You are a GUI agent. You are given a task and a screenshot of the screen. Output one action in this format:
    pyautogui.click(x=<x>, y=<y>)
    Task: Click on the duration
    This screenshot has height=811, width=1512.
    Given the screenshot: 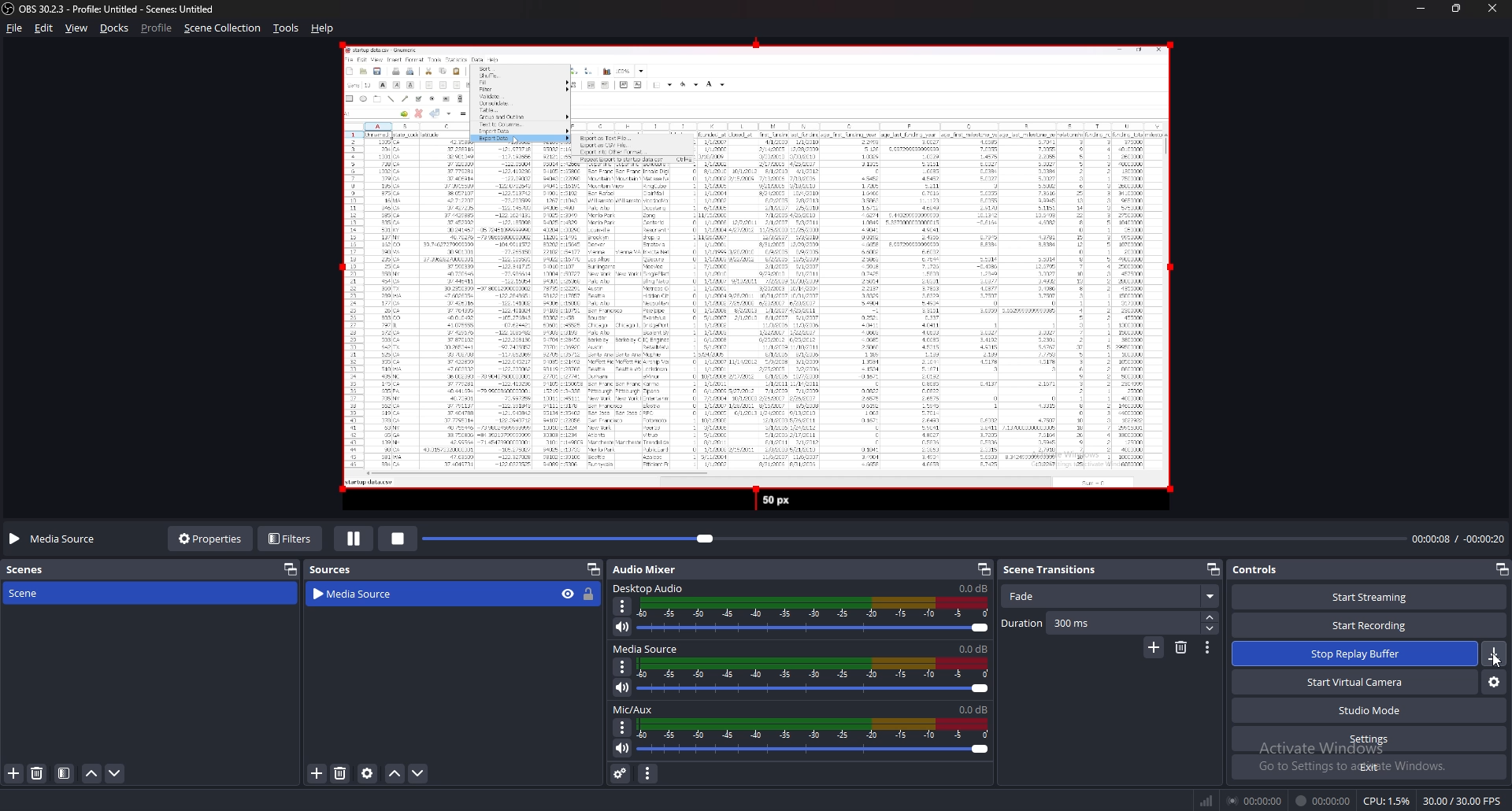 What is the action you would take?
    pyautogui.click(x=1100, y=623)
    